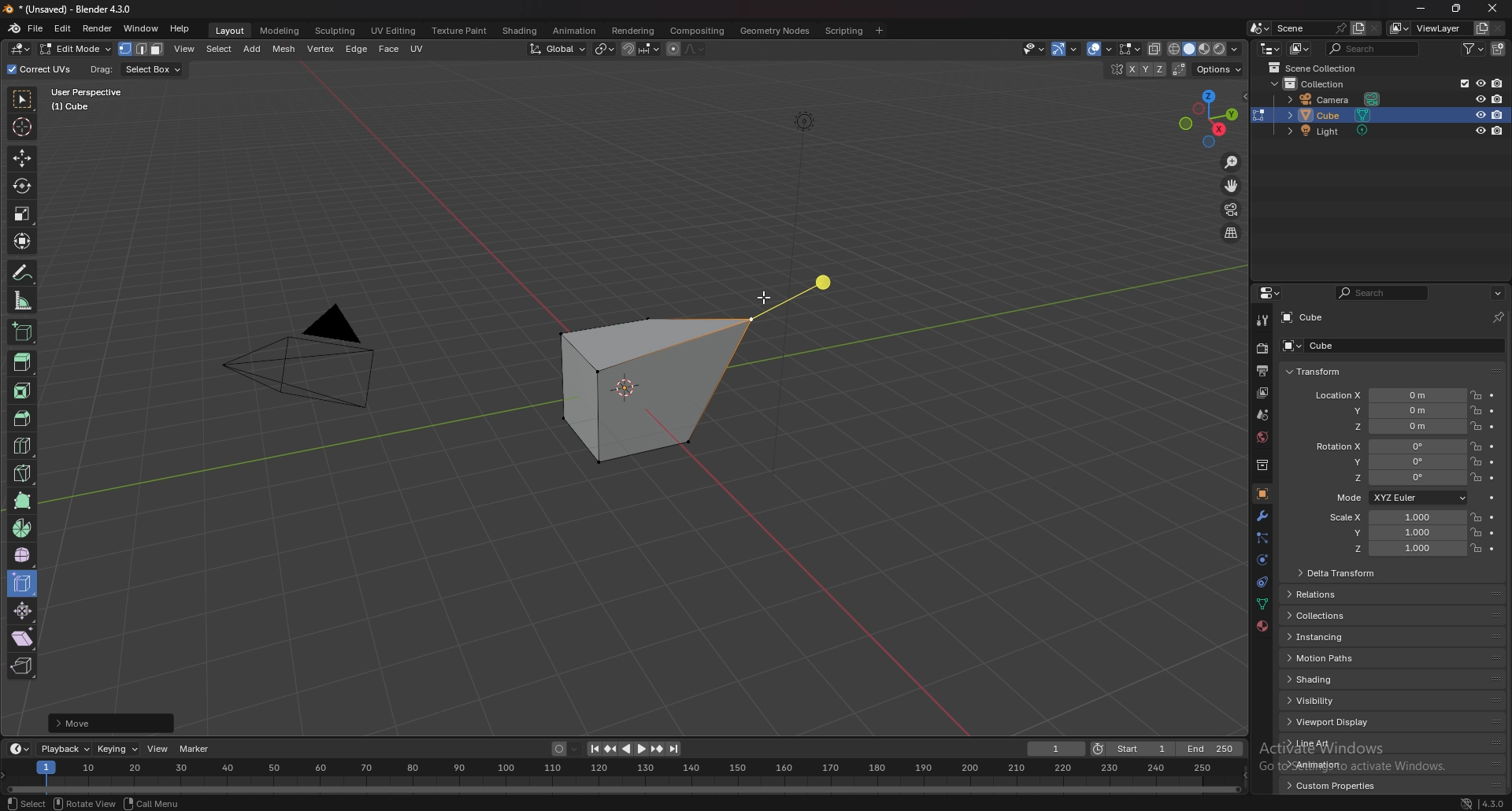 Image resolution: width=1512 pixels, height=811 pixels. Describe the element at coordinates (1492, 396) in the screenshot. I see `animate property` at that location.